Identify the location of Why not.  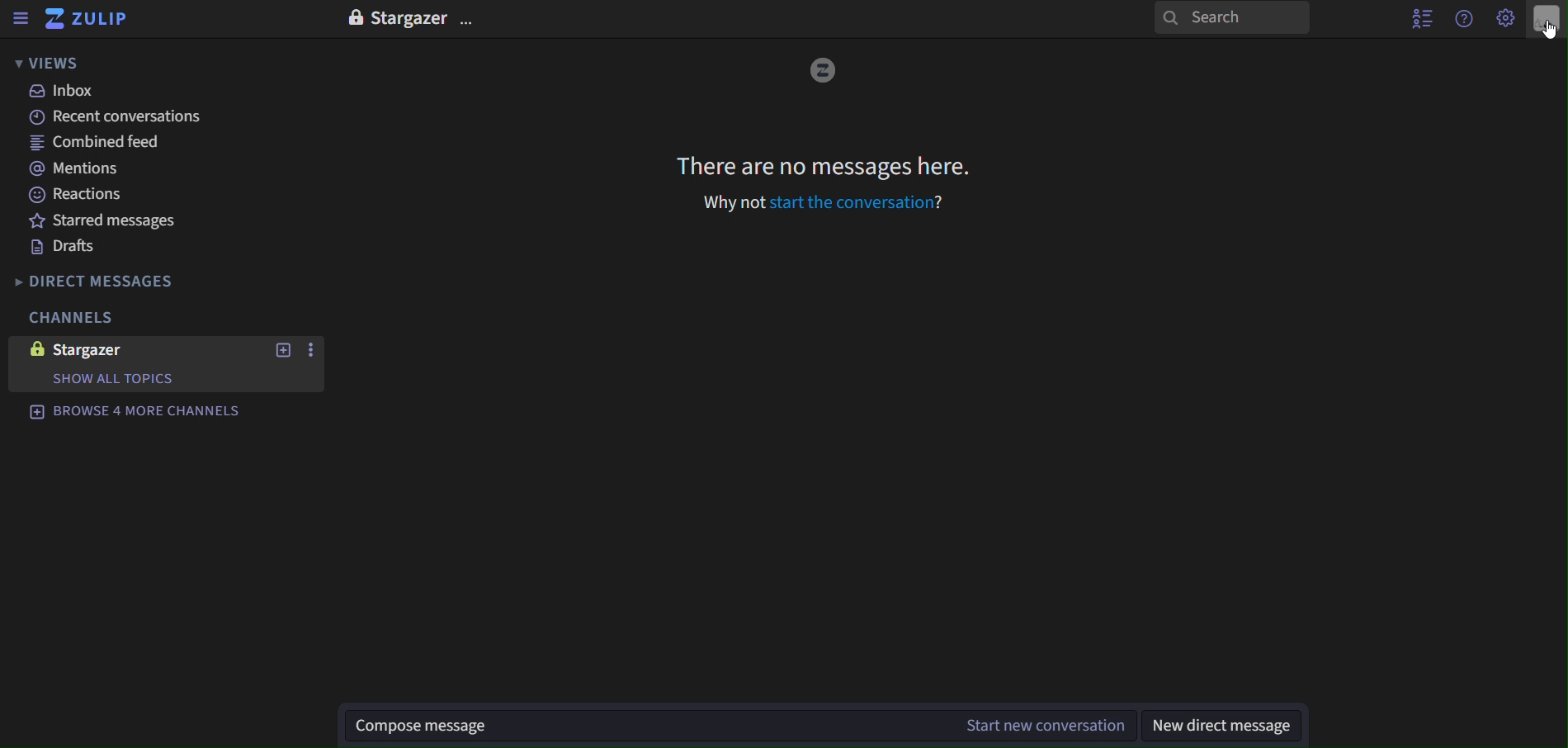
(733, 205).